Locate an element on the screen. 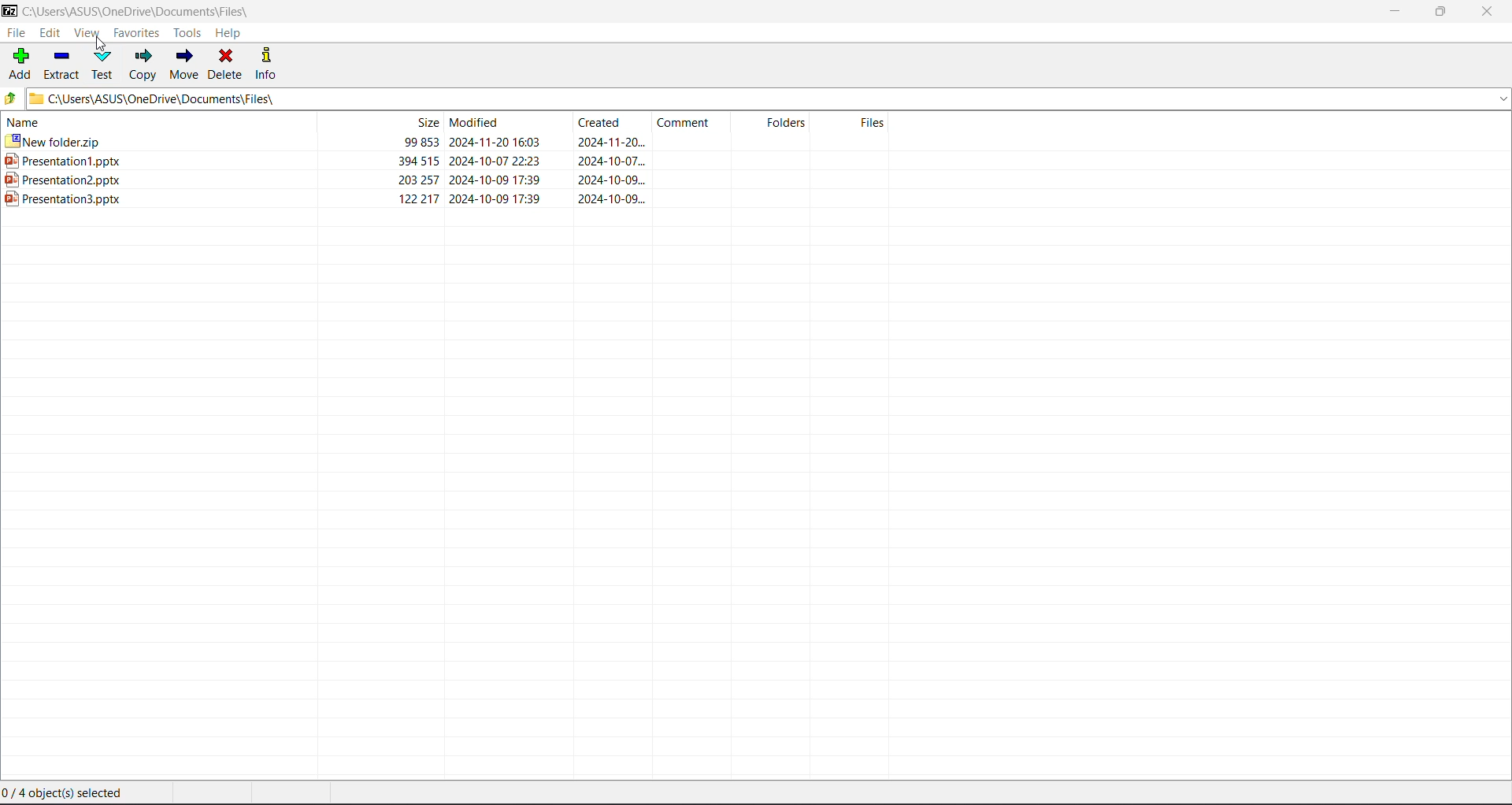  new folder is located at coordinates (446, 139).